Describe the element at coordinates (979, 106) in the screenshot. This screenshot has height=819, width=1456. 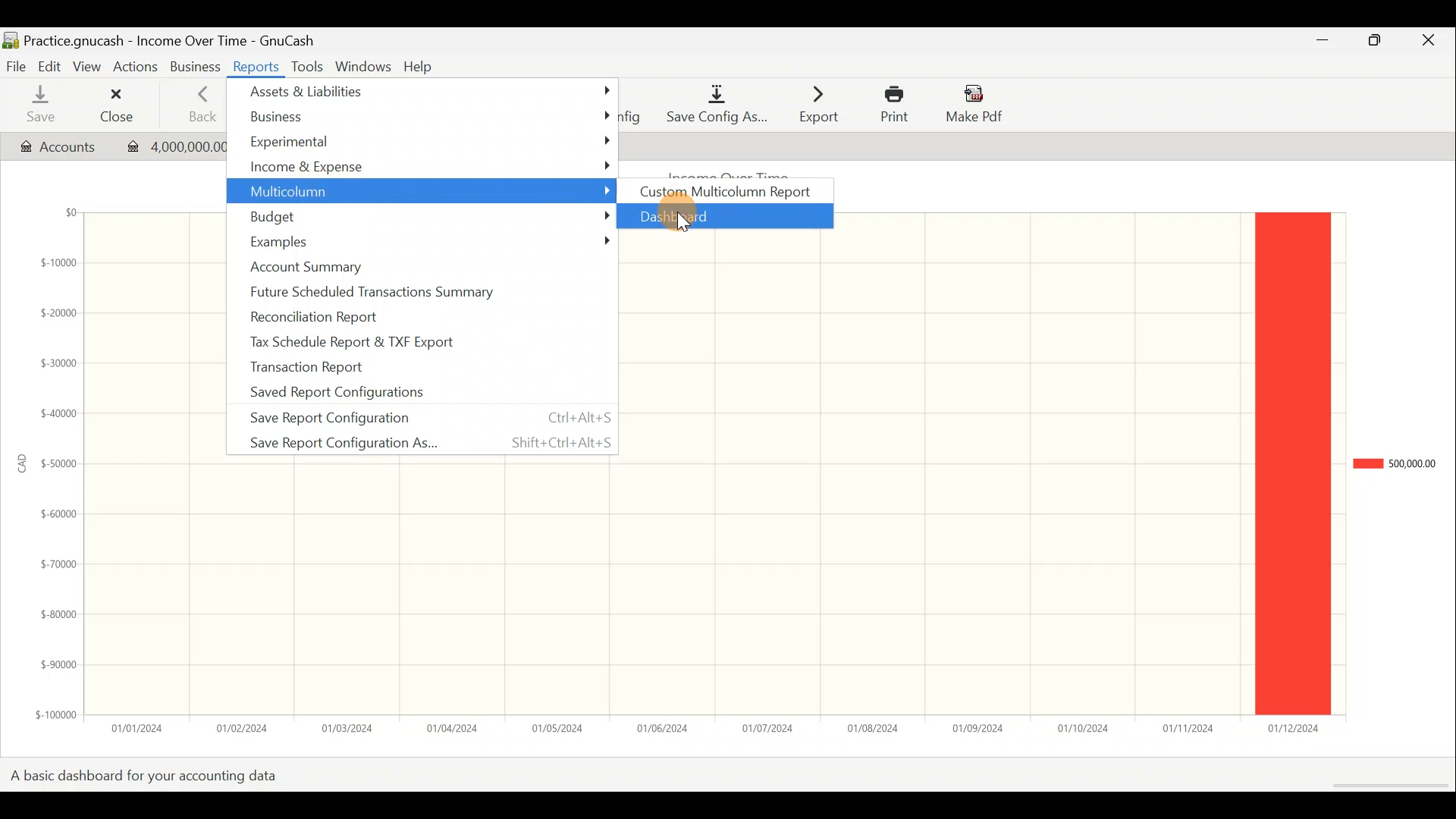
I see `Make pdf` at that location.